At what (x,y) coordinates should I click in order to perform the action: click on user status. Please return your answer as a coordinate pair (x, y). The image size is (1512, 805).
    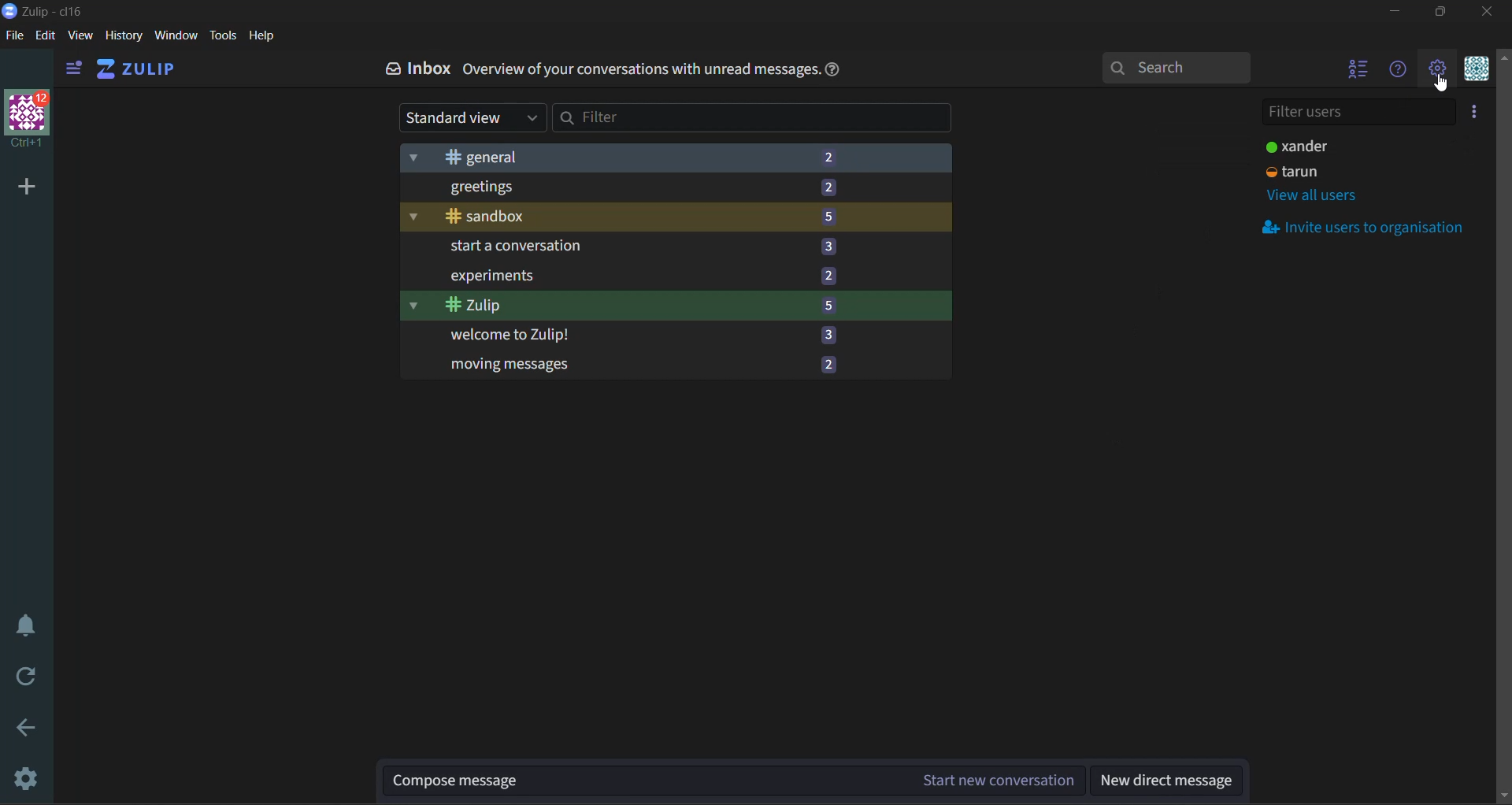
    Looking at the image, I should click on (1308, 161).